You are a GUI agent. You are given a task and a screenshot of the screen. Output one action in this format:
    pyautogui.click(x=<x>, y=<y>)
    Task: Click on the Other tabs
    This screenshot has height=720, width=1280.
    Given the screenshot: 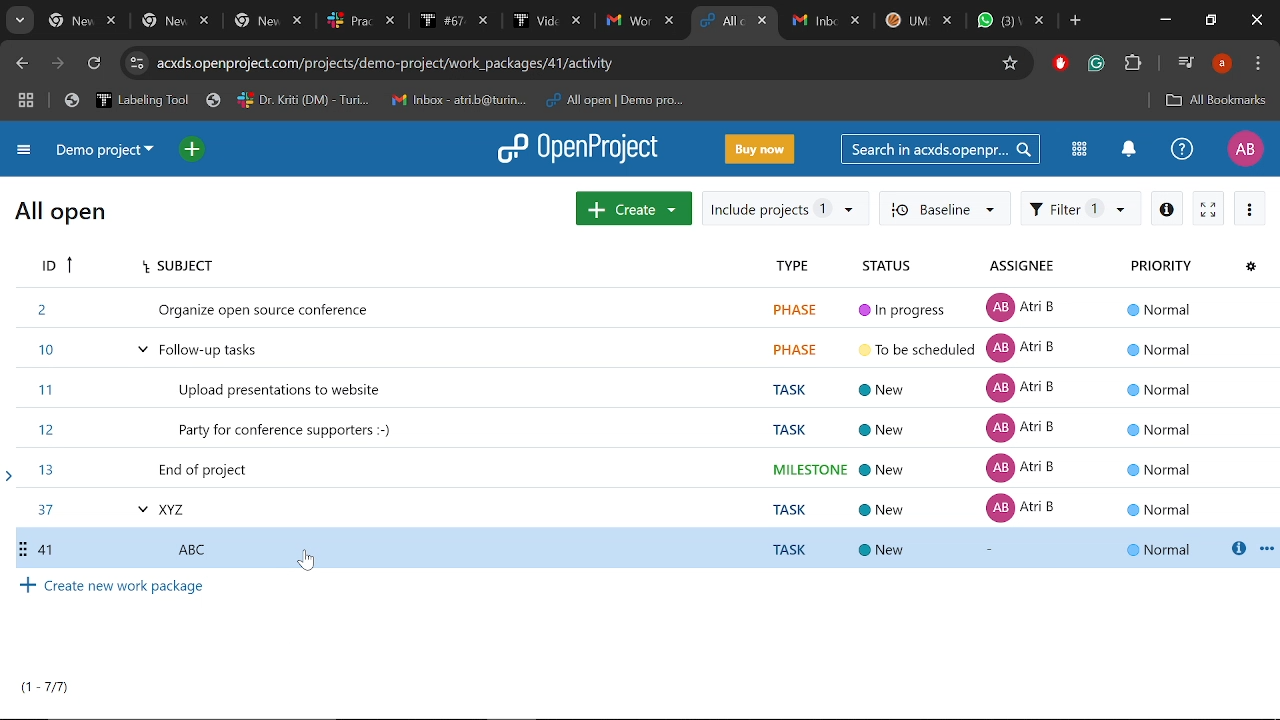 What is the action you would take?
    pyautogui.click(x=918, y=20)
    